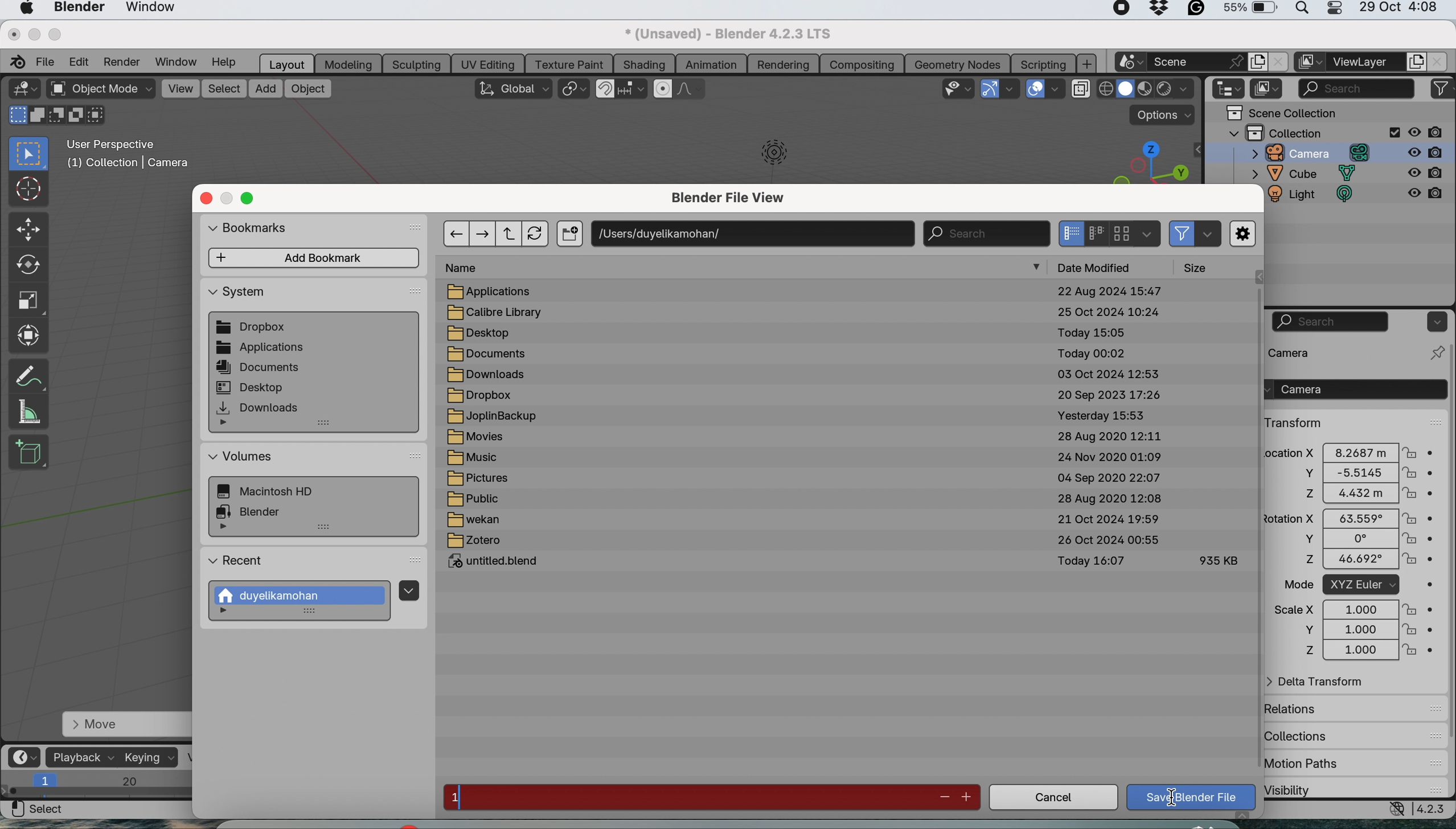 The width and height of the screenshot is (1456, 829). What do you see at coordinates (1193, 797) in the screenshot?
I see `save blender file` at bounding box center [1193, 797].